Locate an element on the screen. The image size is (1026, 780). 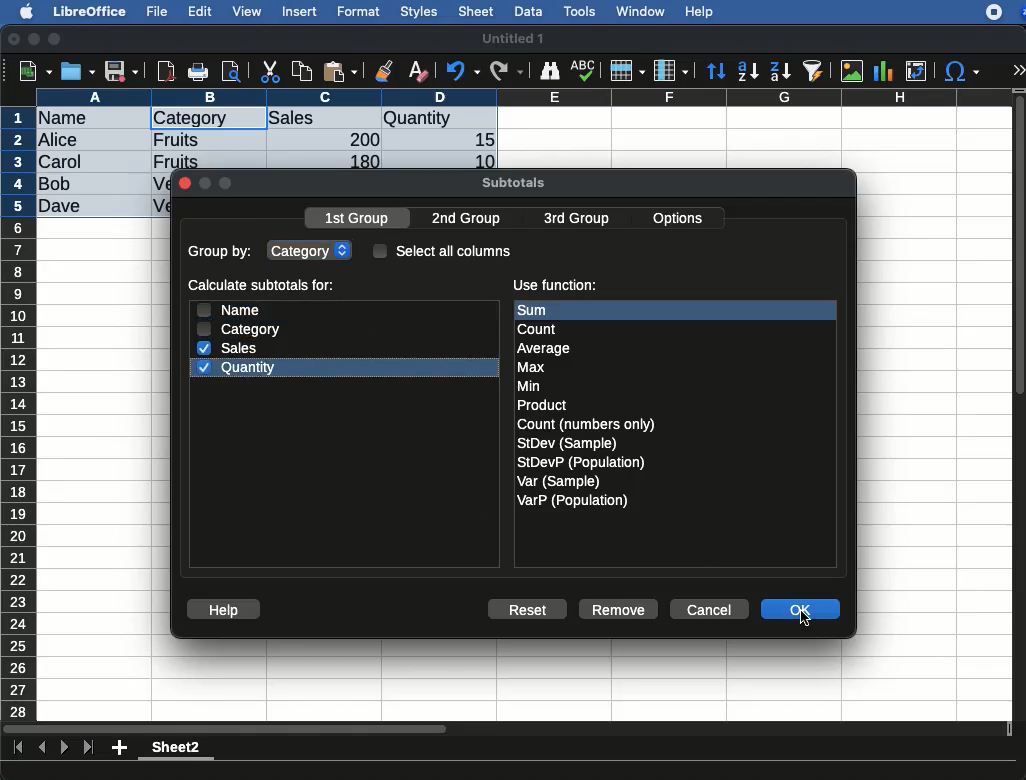
calculate subtotals for: is located at coordinates (264, 287).